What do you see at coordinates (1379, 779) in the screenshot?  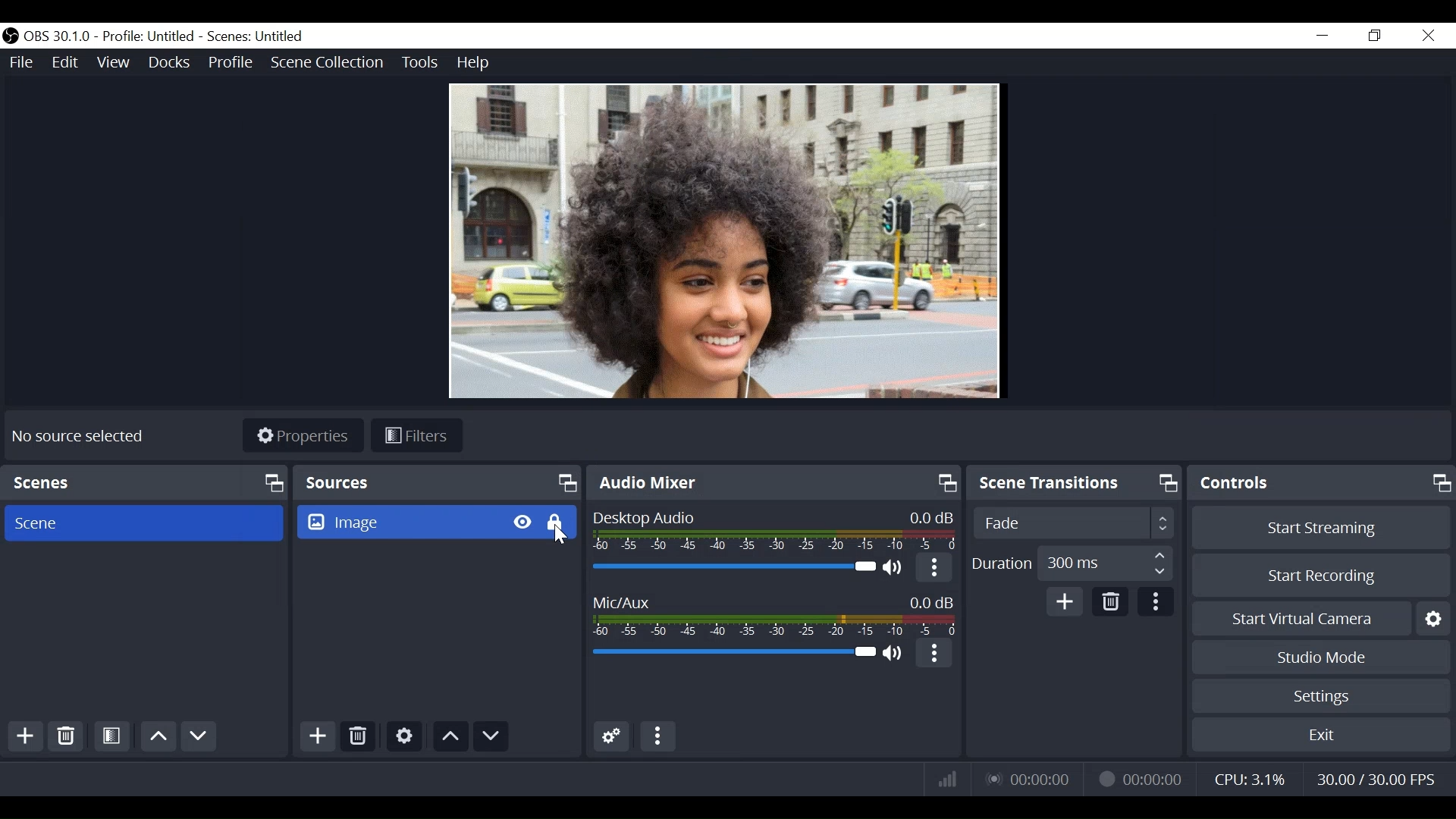 I see `30.00/ 30.00 FPS` at bounding box center [1379, 779].